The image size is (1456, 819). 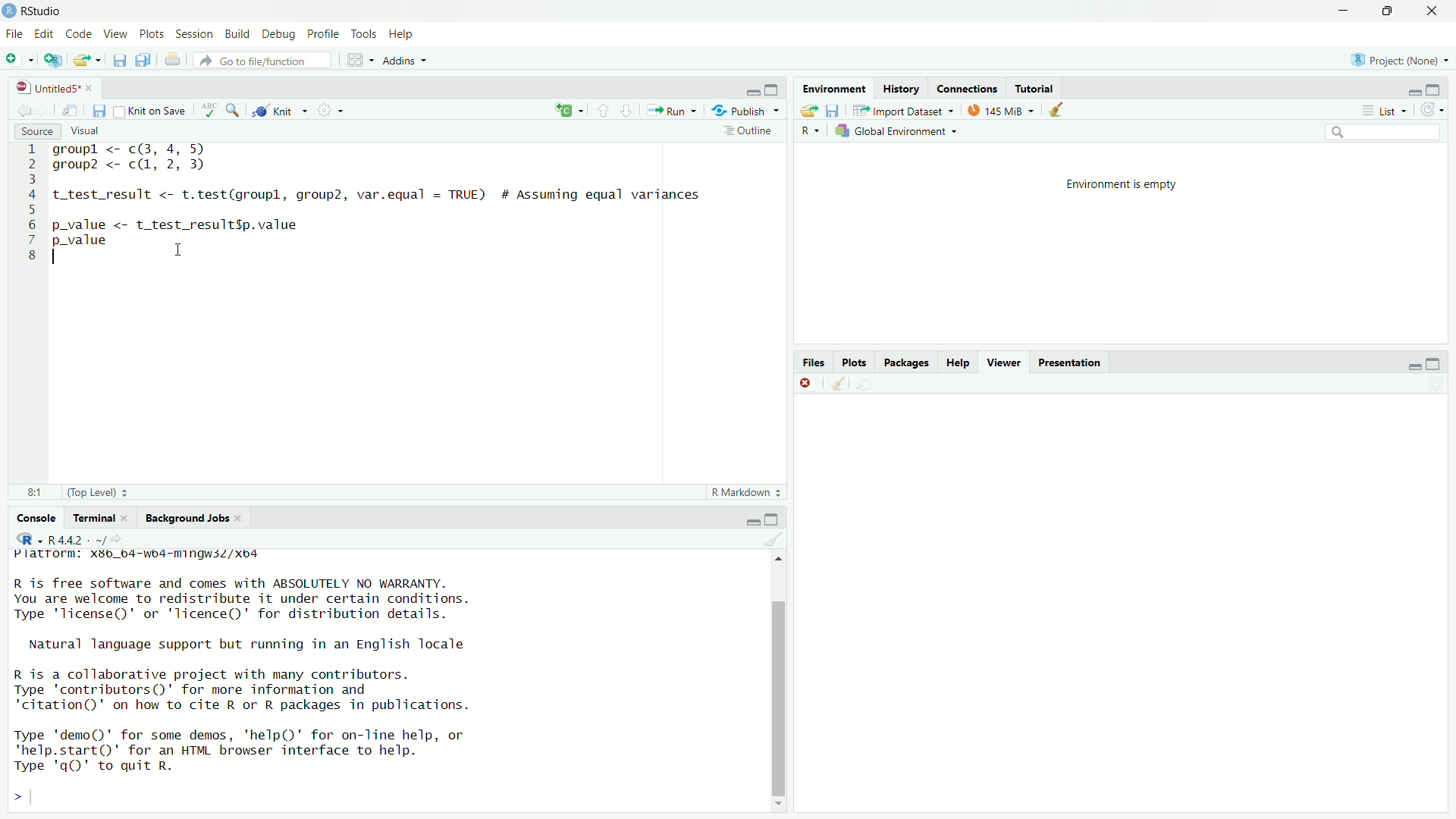 What do you see at coordinates (903, 109) in the screenshot?
I see `Import dataset` at bounding box center [903, 109].